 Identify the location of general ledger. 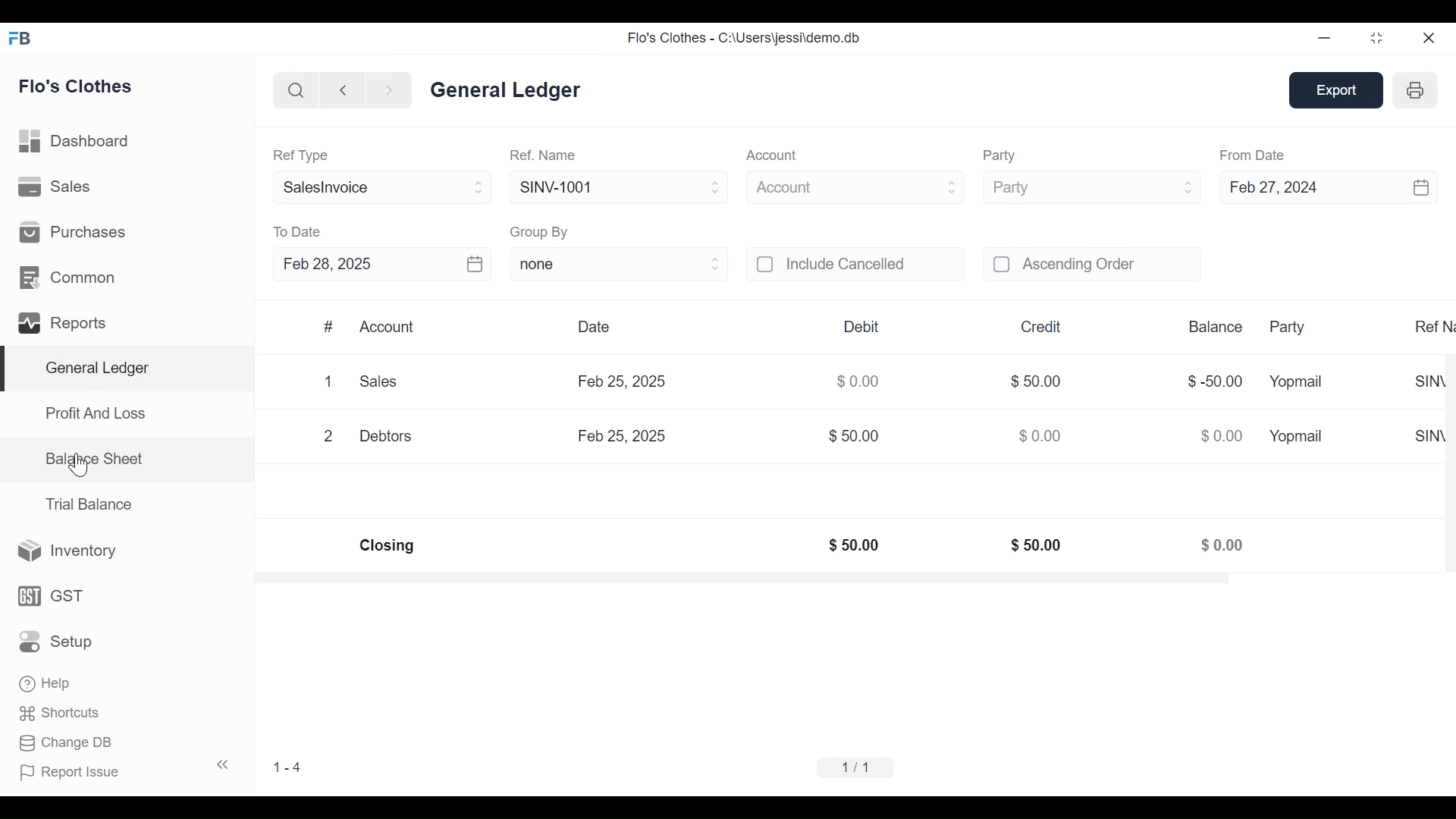
(504, 89).